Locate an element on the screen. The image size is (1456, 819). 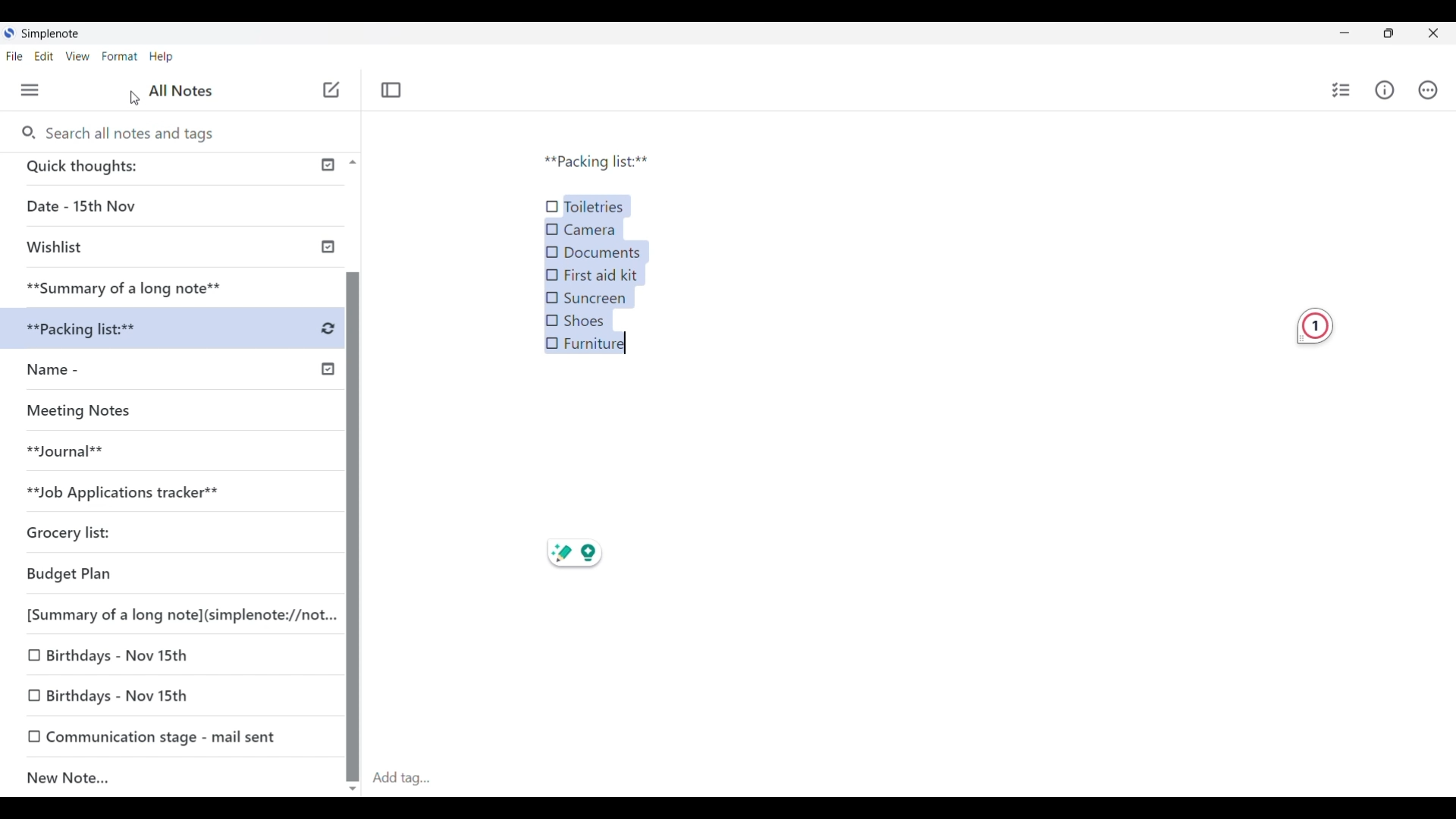
Missing Notes is located at coordinates (91, 414).